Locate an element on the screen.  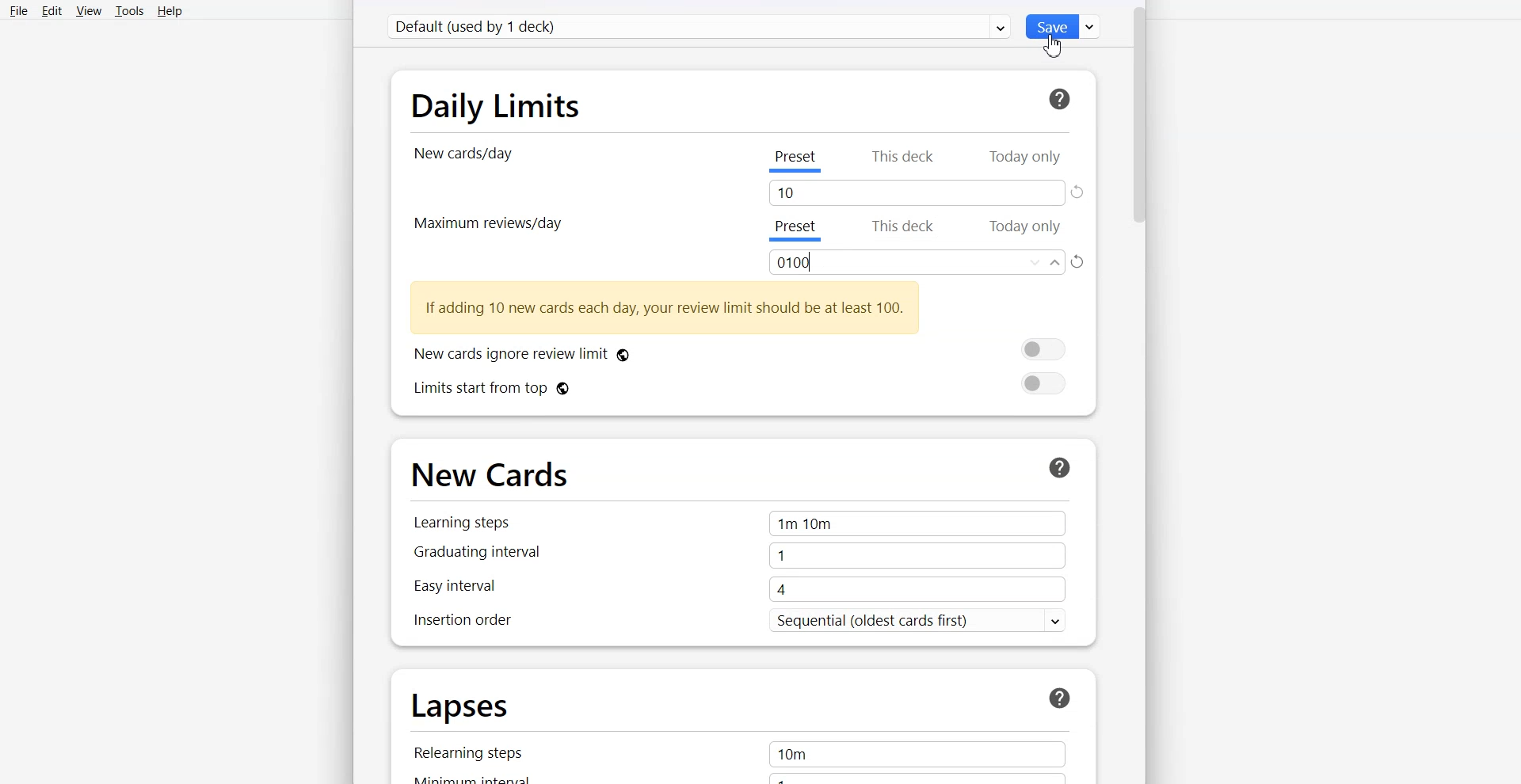
Daily Limits is located at coordinates (499, 105).